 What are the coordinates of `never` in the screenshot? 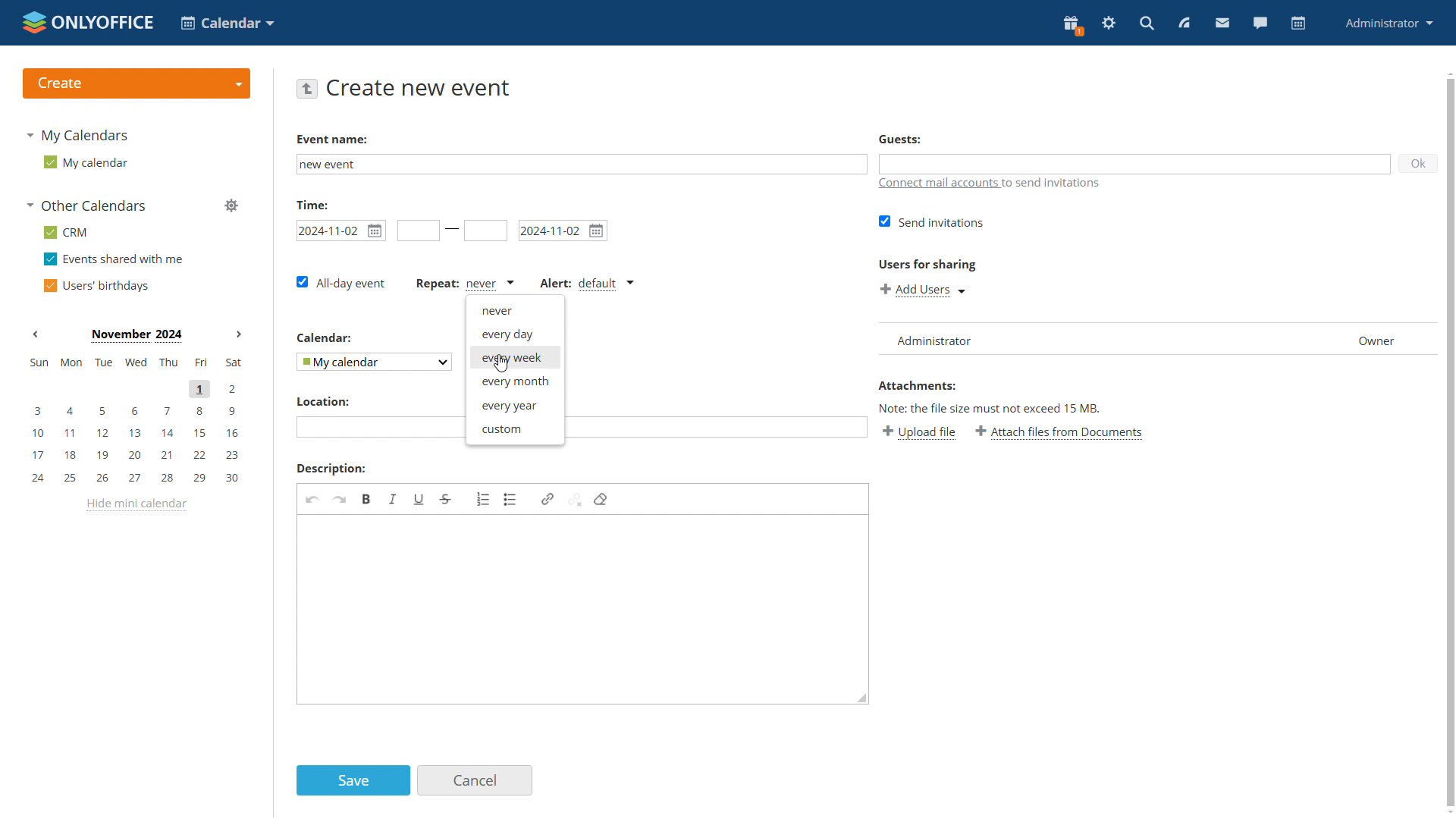 It's located at (515, 311).